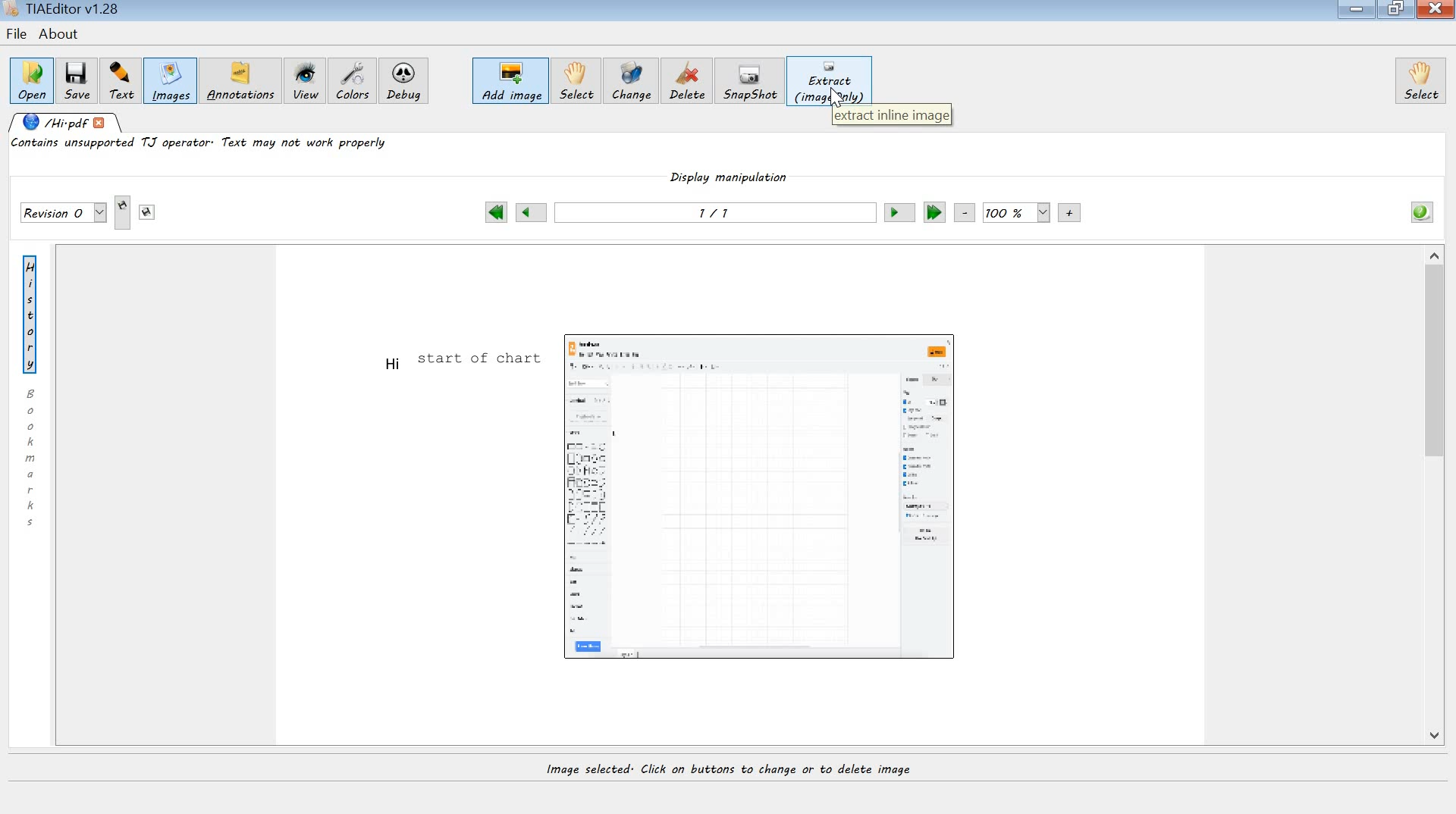 This screenshot has height=814, width=1456. I want to click on images, so click(169, 83).